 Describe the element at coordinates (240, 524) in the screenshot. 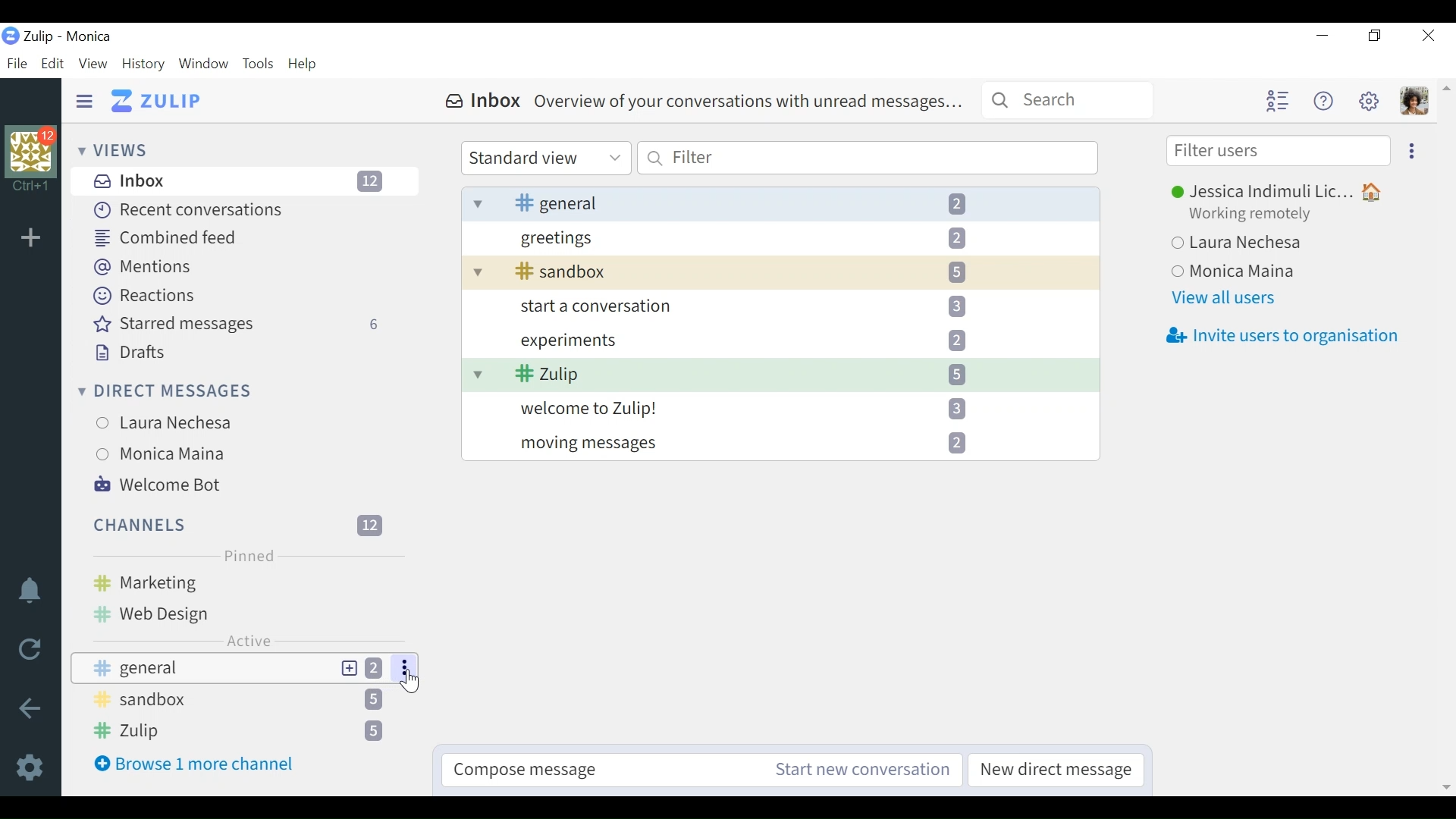

I see `Channels 12` at that location.